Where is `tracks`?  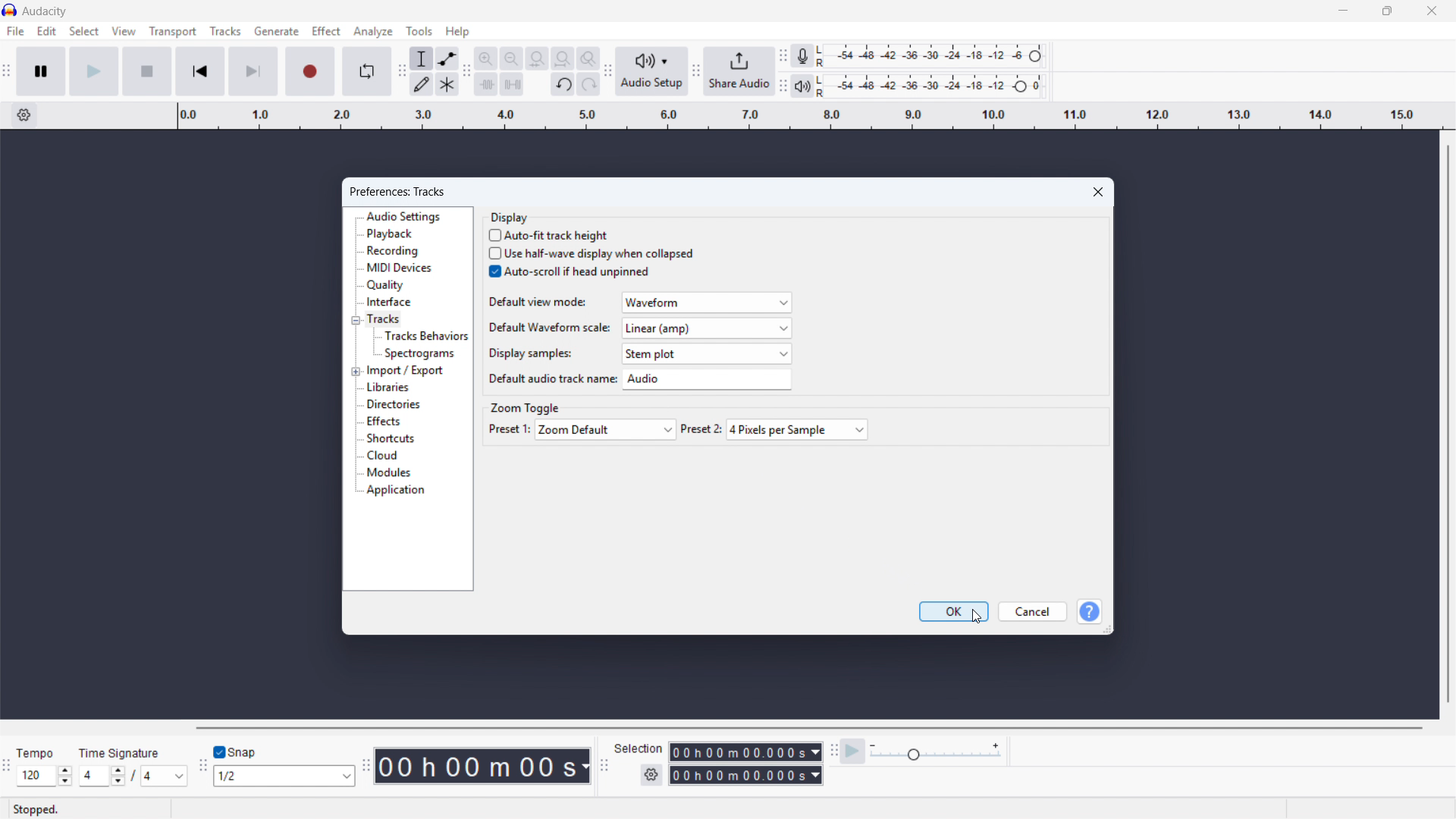
tracks is located at coordinates (224, 31).